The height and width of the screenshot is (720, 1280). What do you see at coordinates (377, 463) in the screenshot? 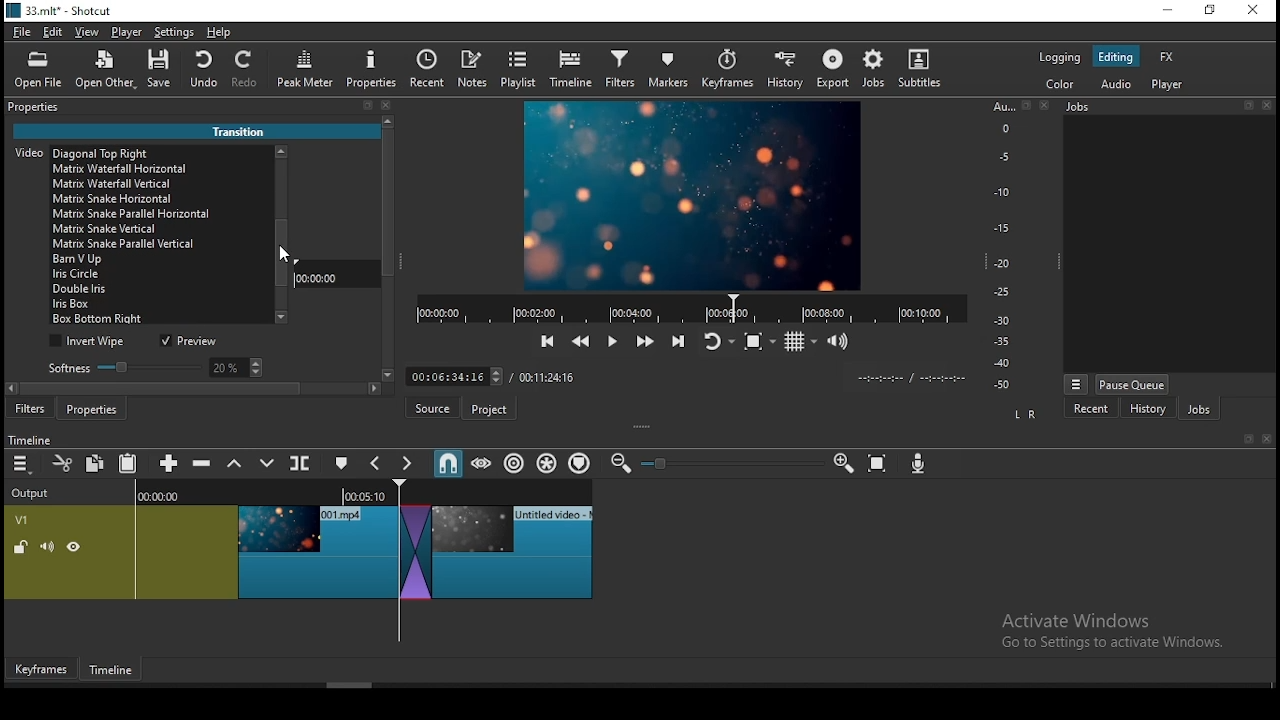
I see `previous marker` at bounding box center [377, 463].